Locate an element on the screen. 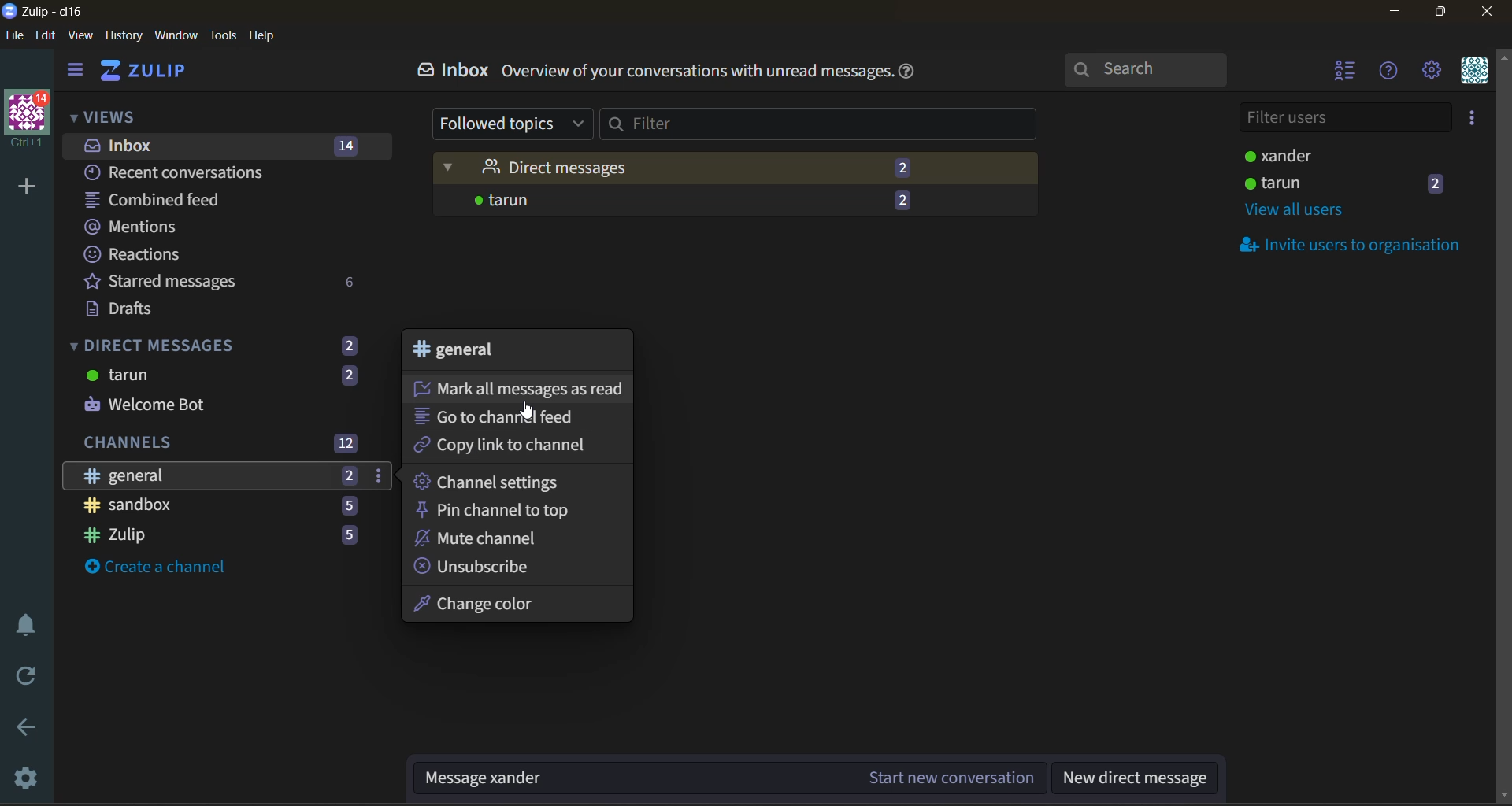 The width and height of the screenshot is (1512, 806). show left side bar is located at coordinates (72, 72).